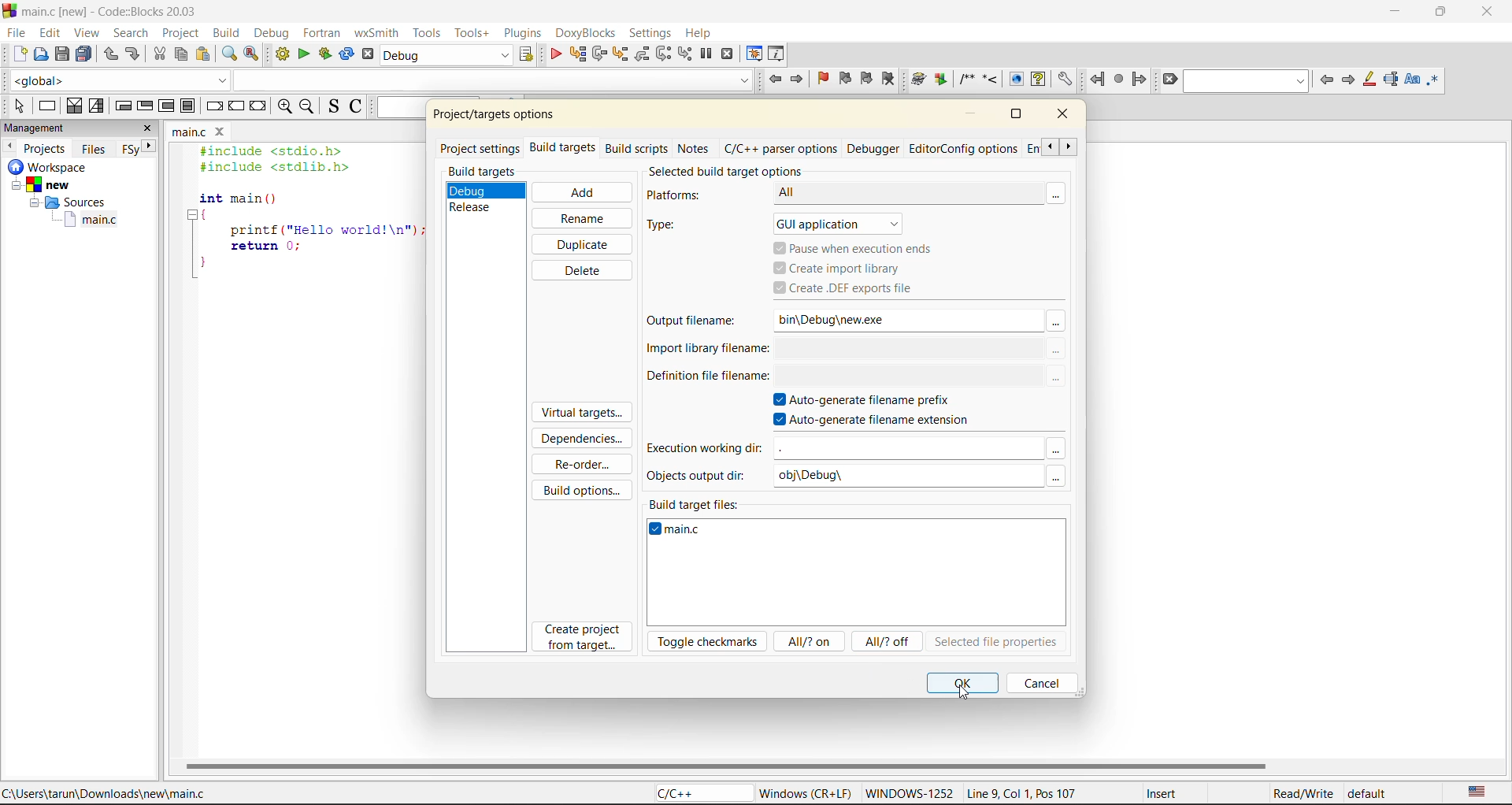 Image resolution: width=1512 pixels, height=805 pixels. Describe the element at coordinates (977, 113) in the screenshot. I see `minimize` at that location.